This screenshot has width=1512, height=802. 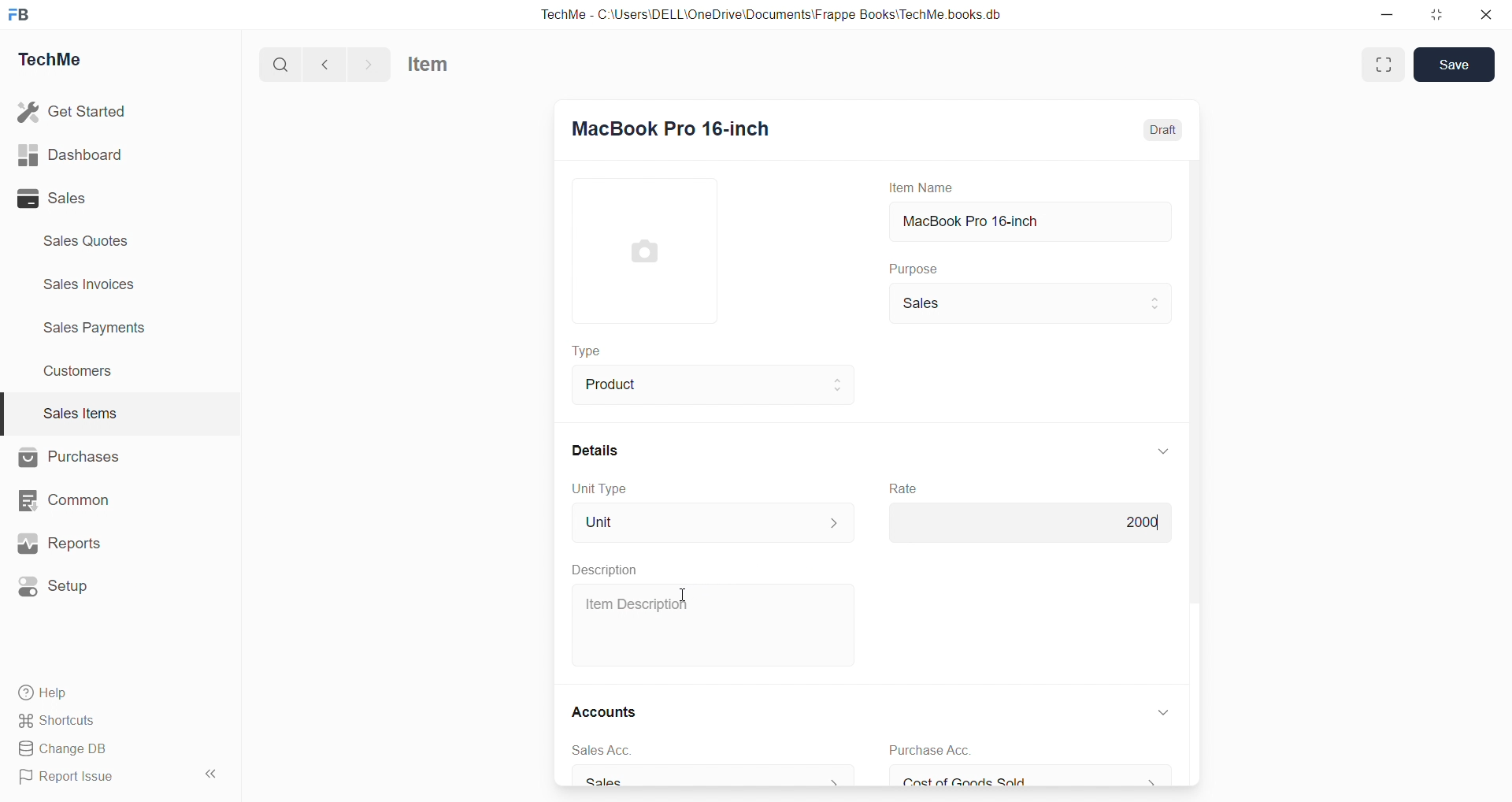 I want to click on Common, so click(x=68, y=500).